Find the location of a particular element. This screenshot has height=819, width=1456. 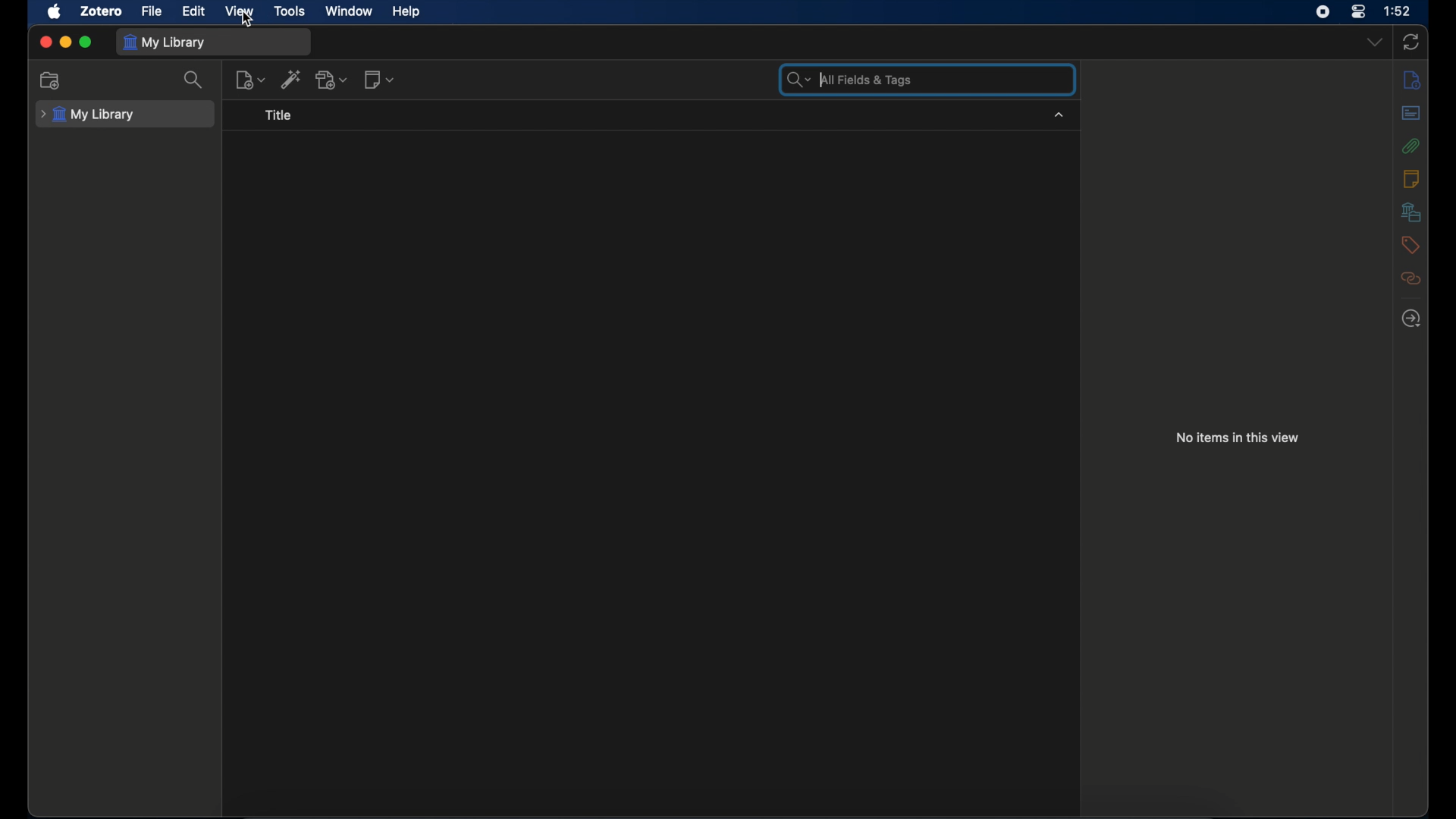

libraries is located at coordinates (1412, 212).